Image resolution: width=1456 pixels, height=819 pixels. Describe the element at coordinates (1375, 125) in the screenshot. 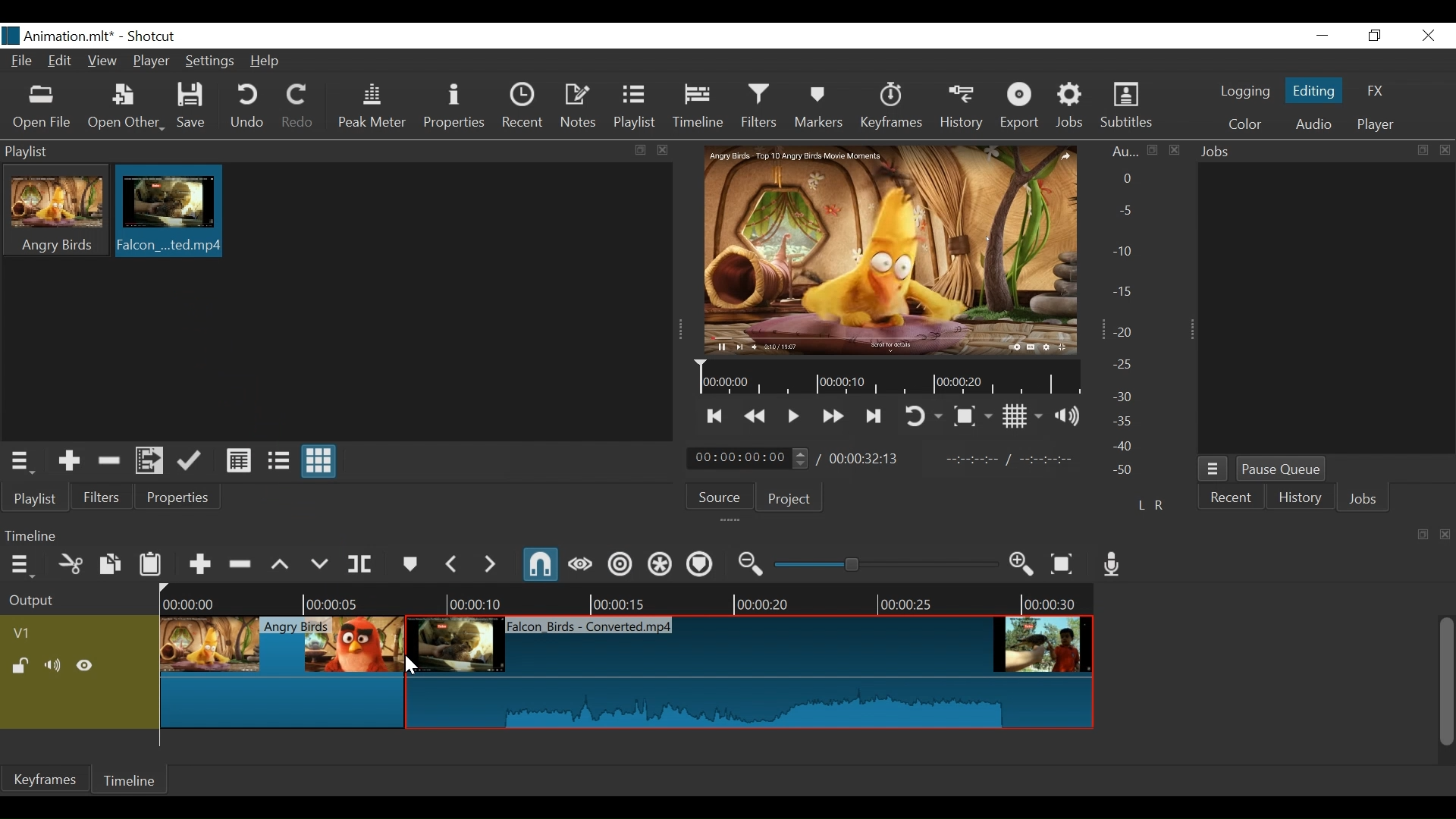

I see `Player` at that location.